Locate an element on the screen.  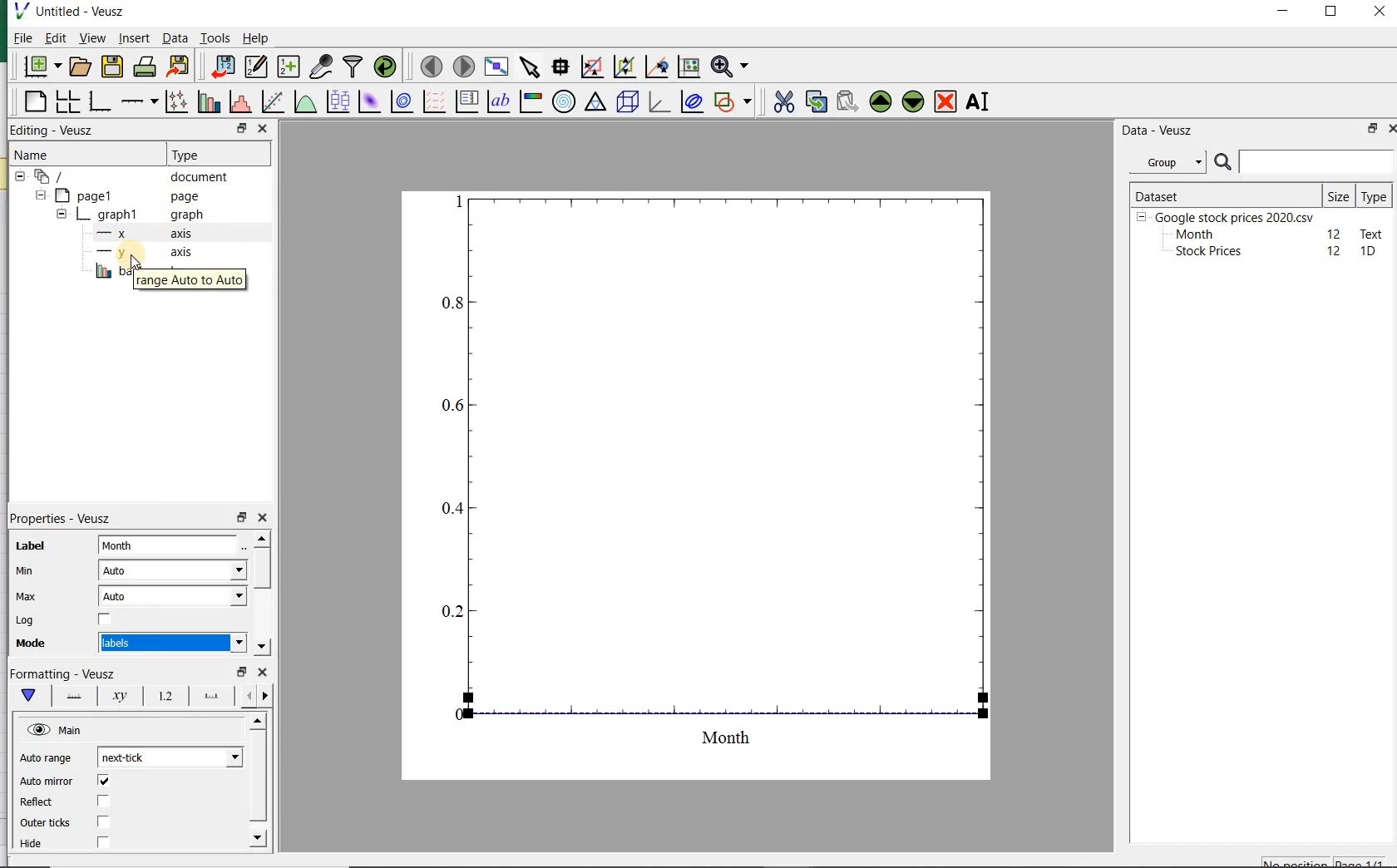
close is located at coordinates (1380, 12).